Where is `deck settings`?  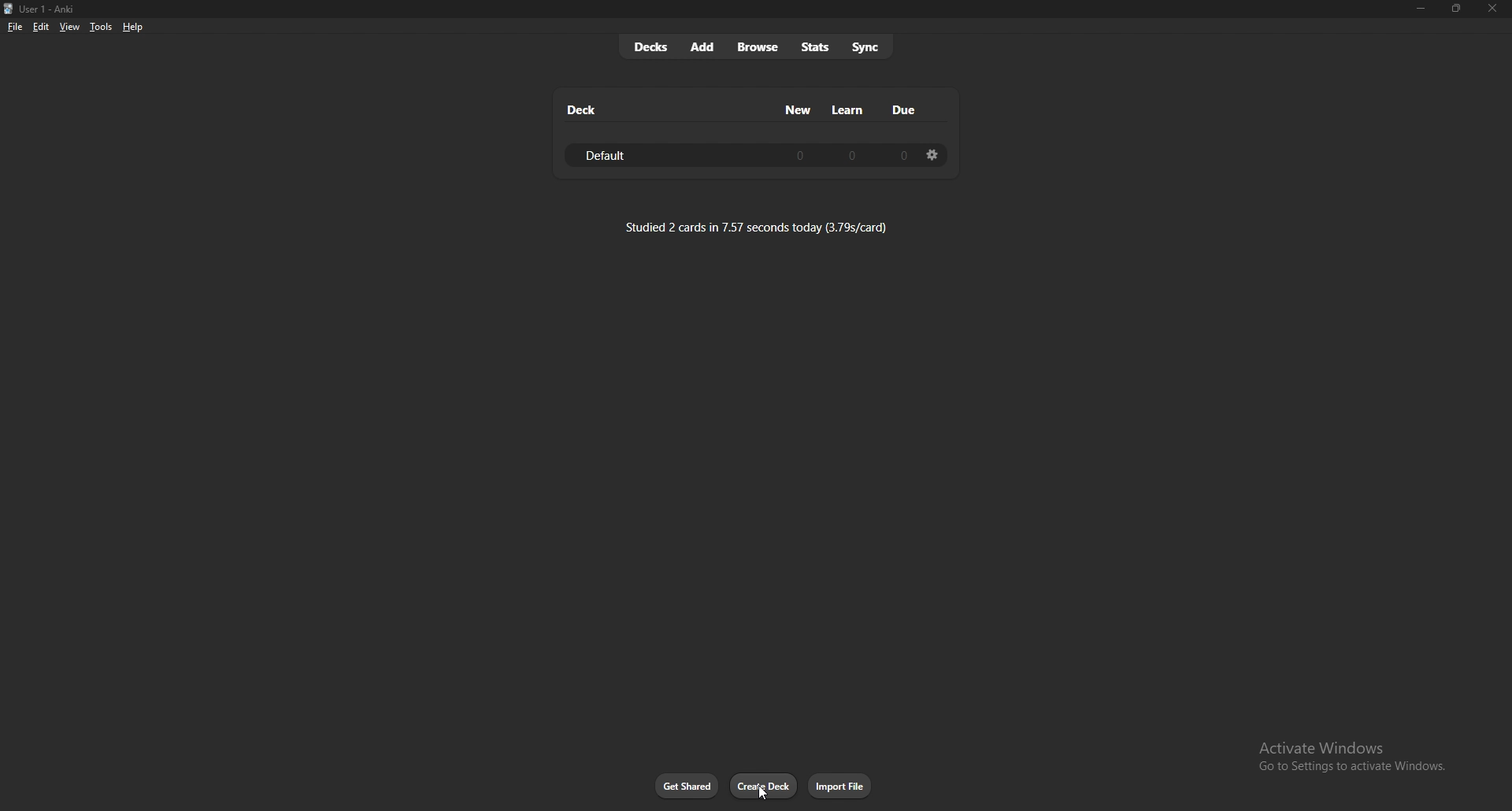 deck settings is located at coordinates (932, 154).